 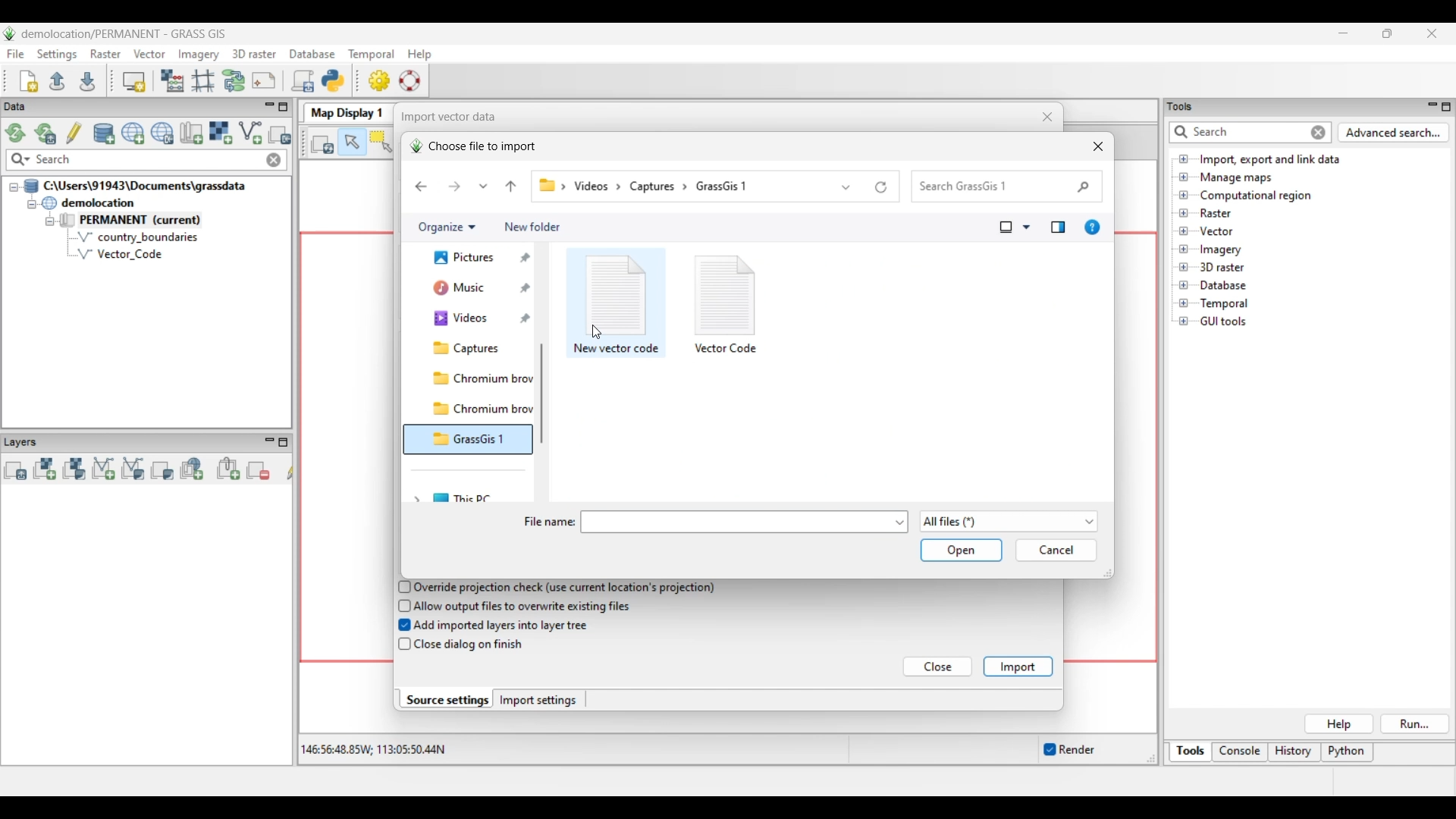 I want to click on Import raster data, so click(x=220, y=133).